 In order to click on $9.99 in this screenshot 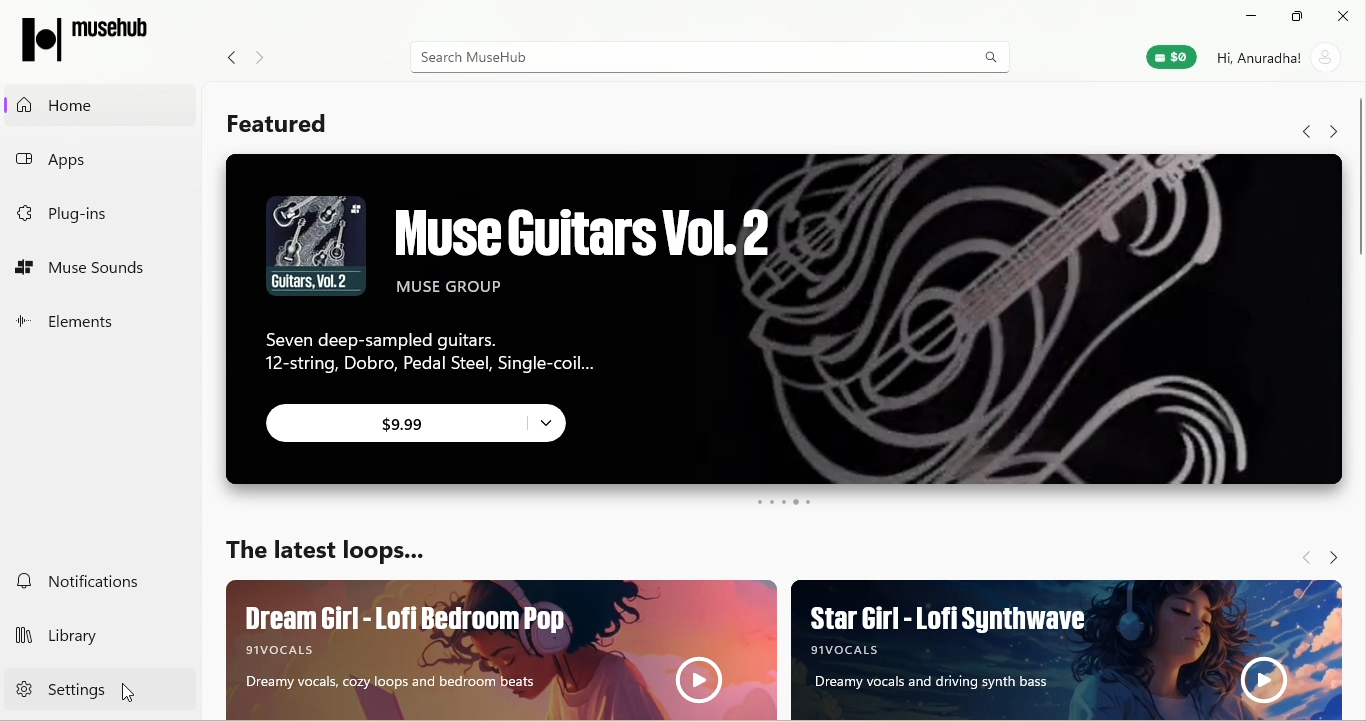, I will do `click(423, 426)`.